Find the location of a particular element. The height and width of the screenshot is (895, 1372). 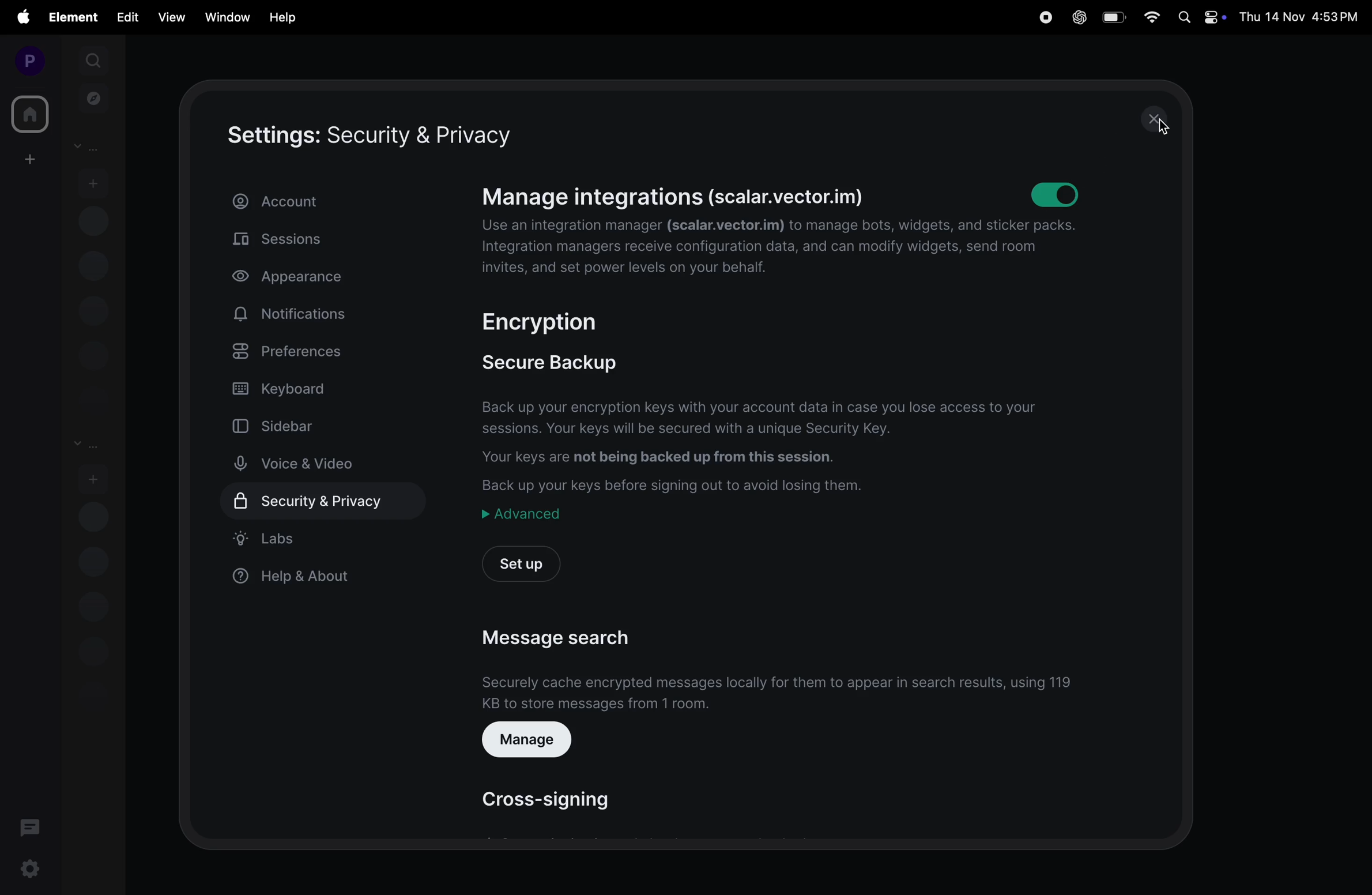

message search is located at coordinates (553, 637).